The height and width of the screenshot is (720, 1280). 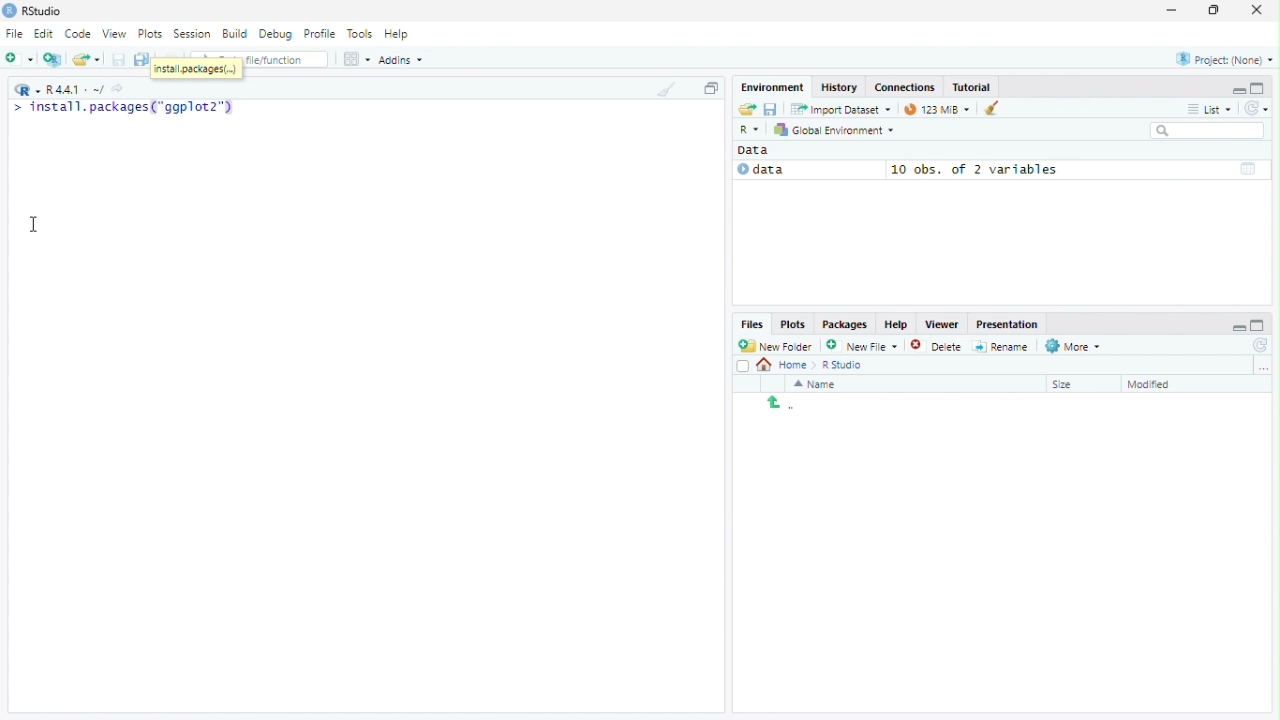 I want to click on Help, so click(x=400, y=35).